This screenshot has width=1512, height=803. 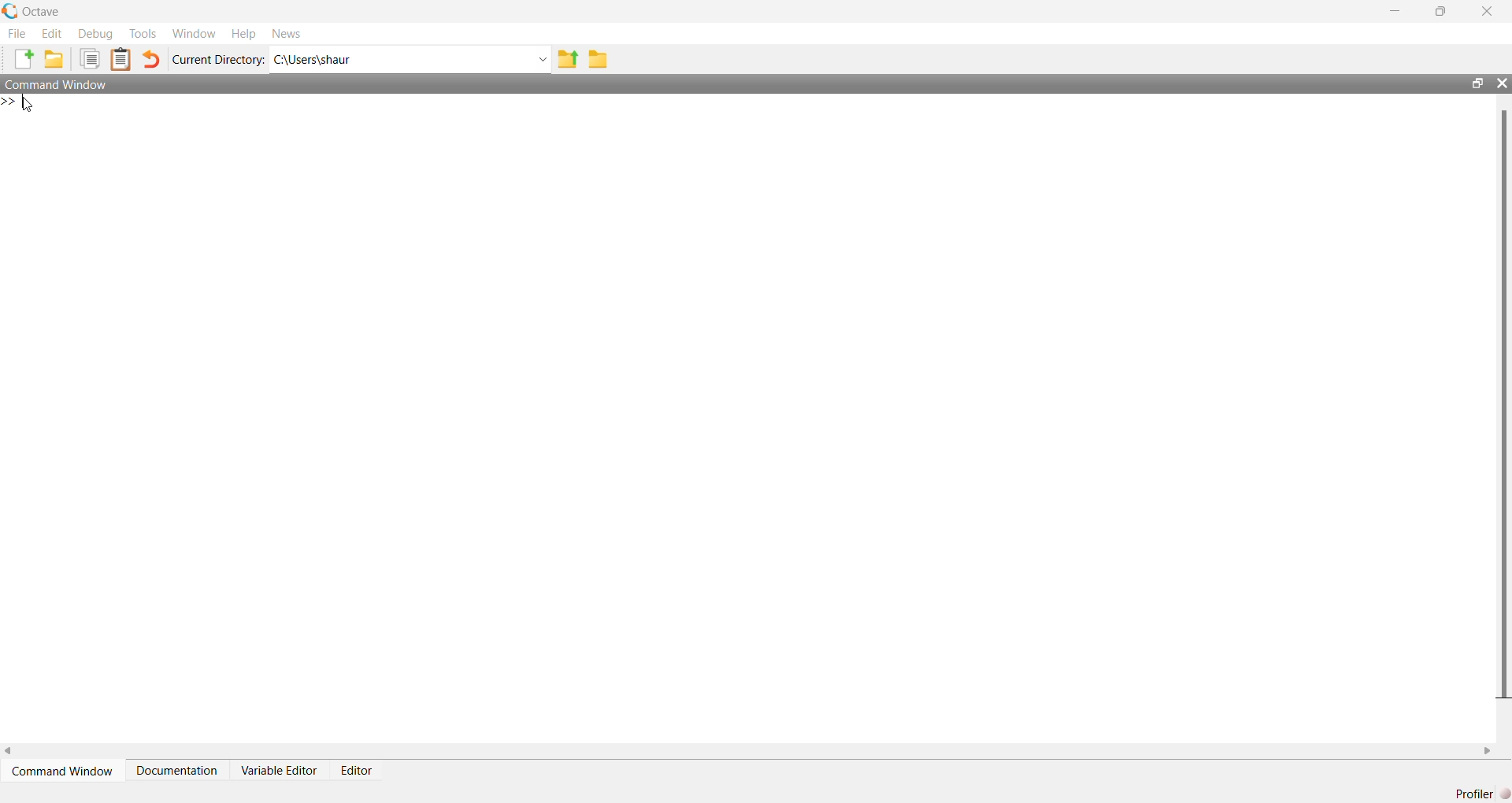 What do you see at coordinates (243, 35) in the screenshot?
I see `help` at bounding box center [243, 35].